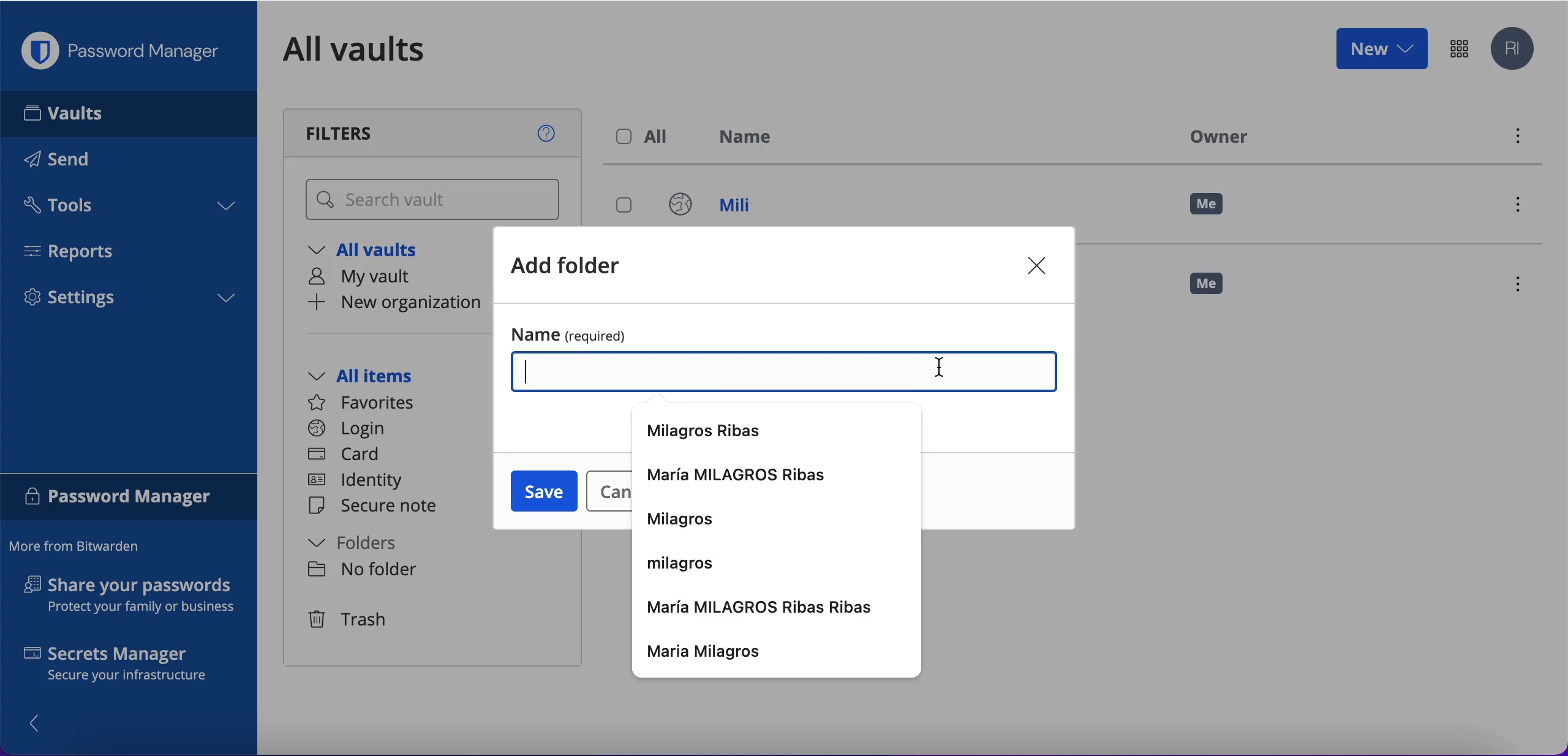 This screenshot has width=1568, height=756. Describe the element at coordinates (1216, 289) in the screenshot. I see `me` at that location.